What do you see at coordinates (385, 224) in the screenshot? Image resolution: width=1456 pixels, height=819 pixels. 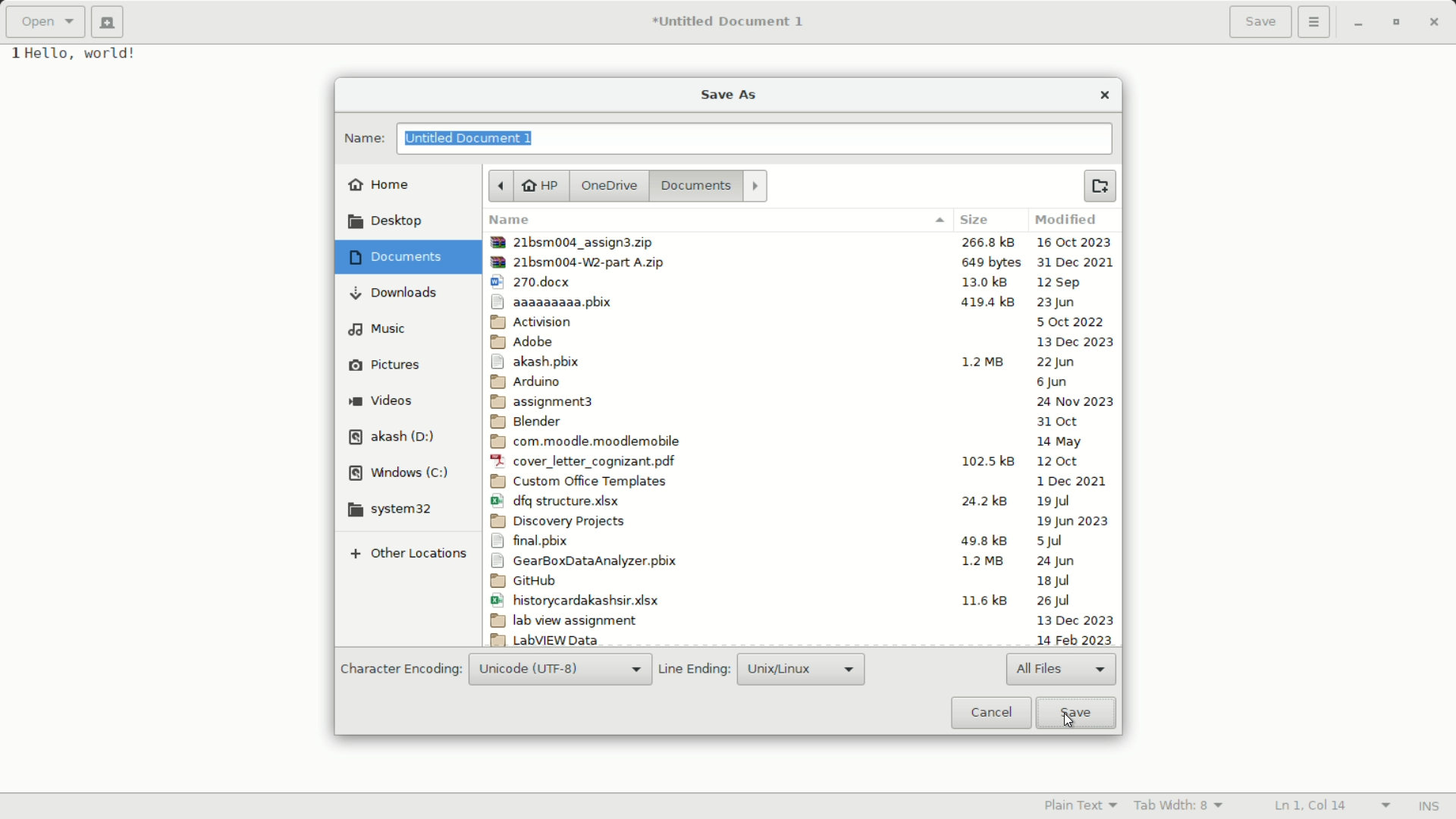 I see `desktop` at bounding box center [385, 224].